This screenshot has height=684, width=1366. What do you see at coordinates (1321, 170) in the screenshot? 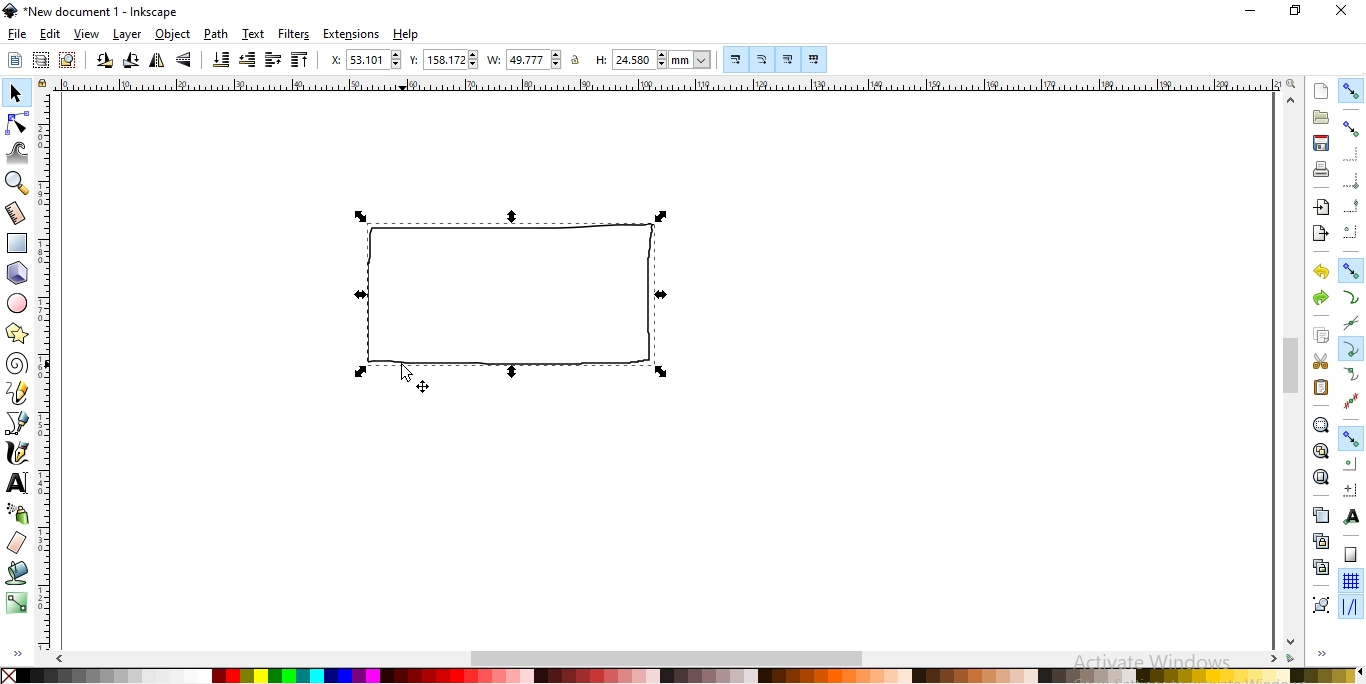
I see `print document` at bounding box center [1321, 170].